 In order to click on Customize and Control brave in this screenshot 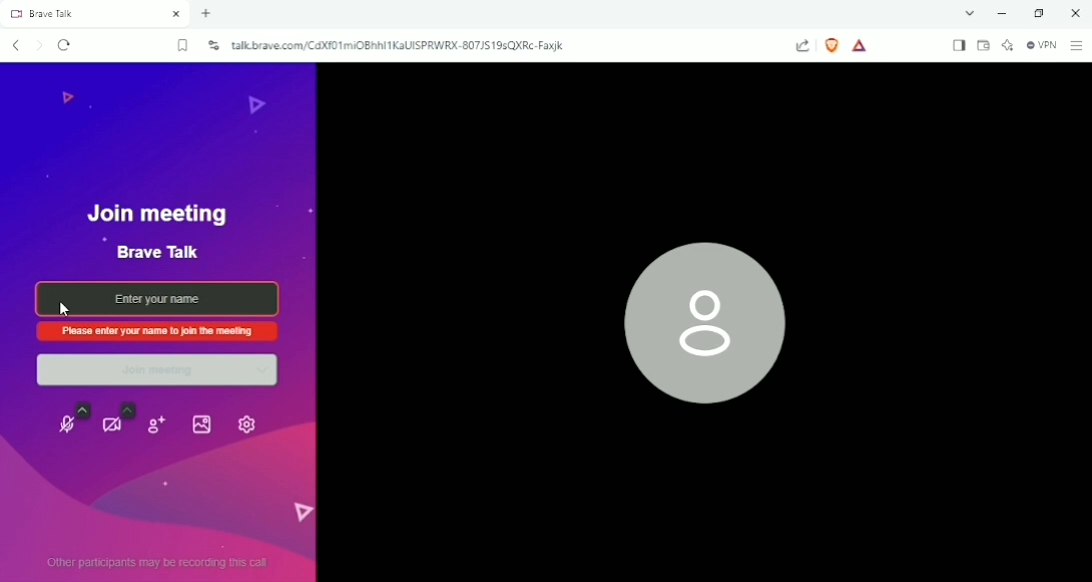, I will do `click(1078, 46)`.